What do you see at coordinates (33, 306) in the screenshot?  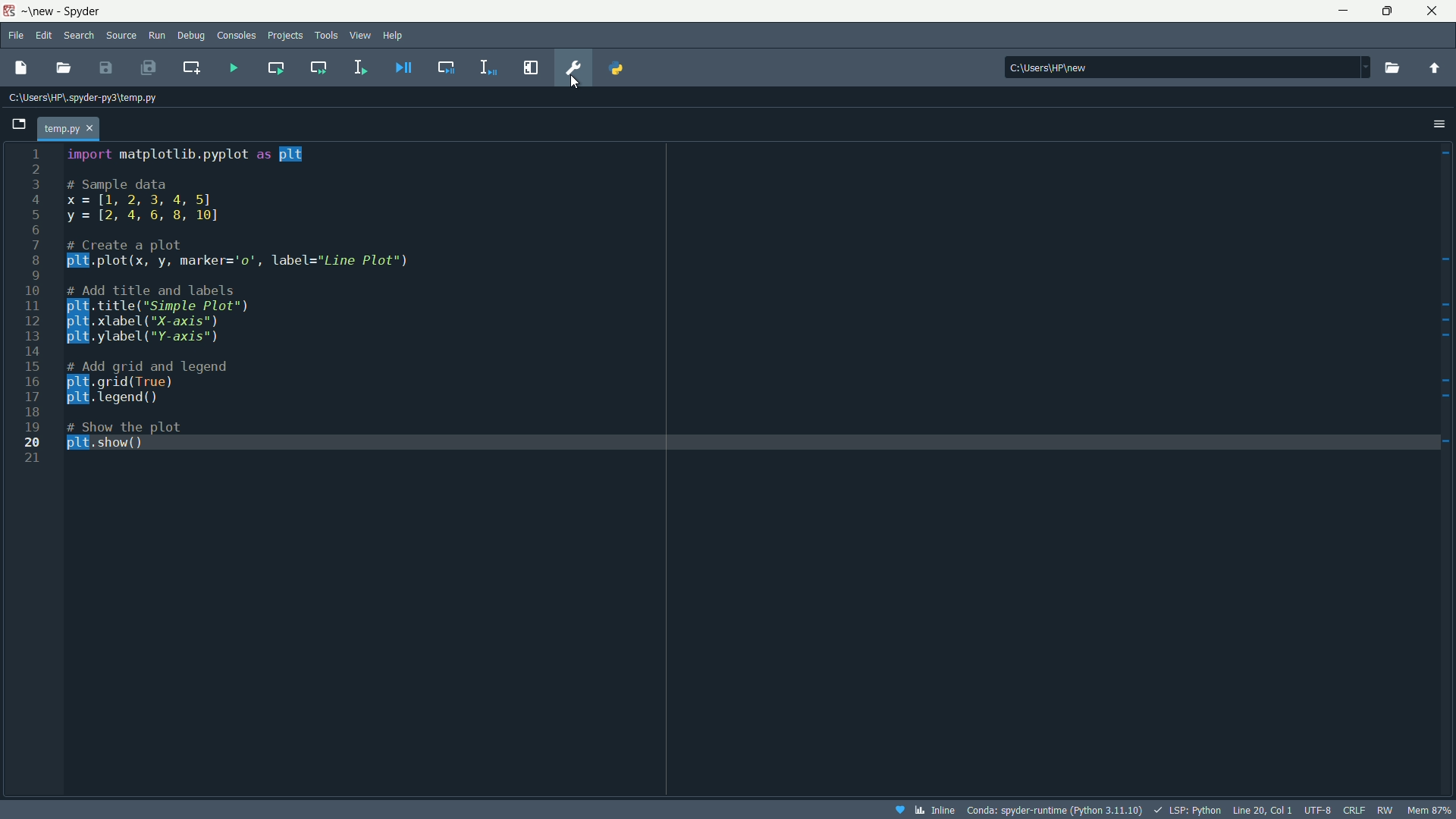 I see `line numbers` at bounding box center [33, 306].